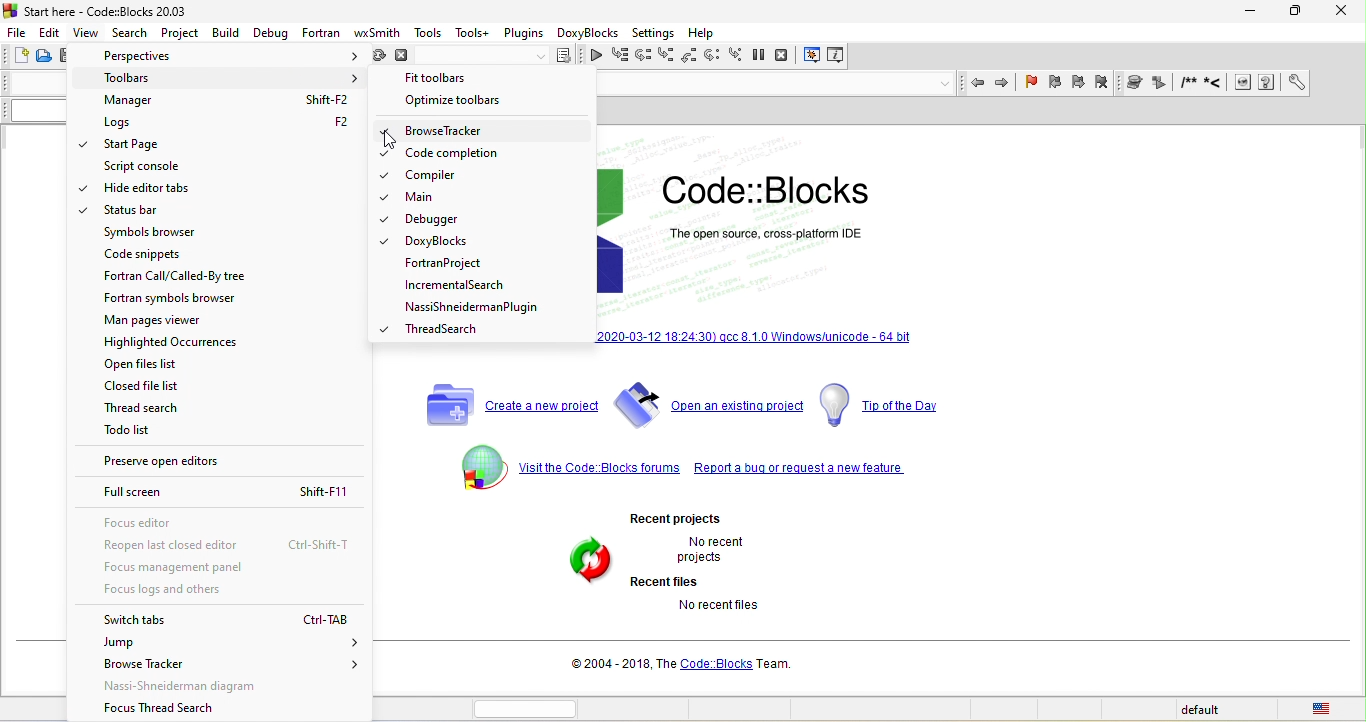  Describe the element at coordinates (669, 583) in the screenshot. I see `recent files` at that location.